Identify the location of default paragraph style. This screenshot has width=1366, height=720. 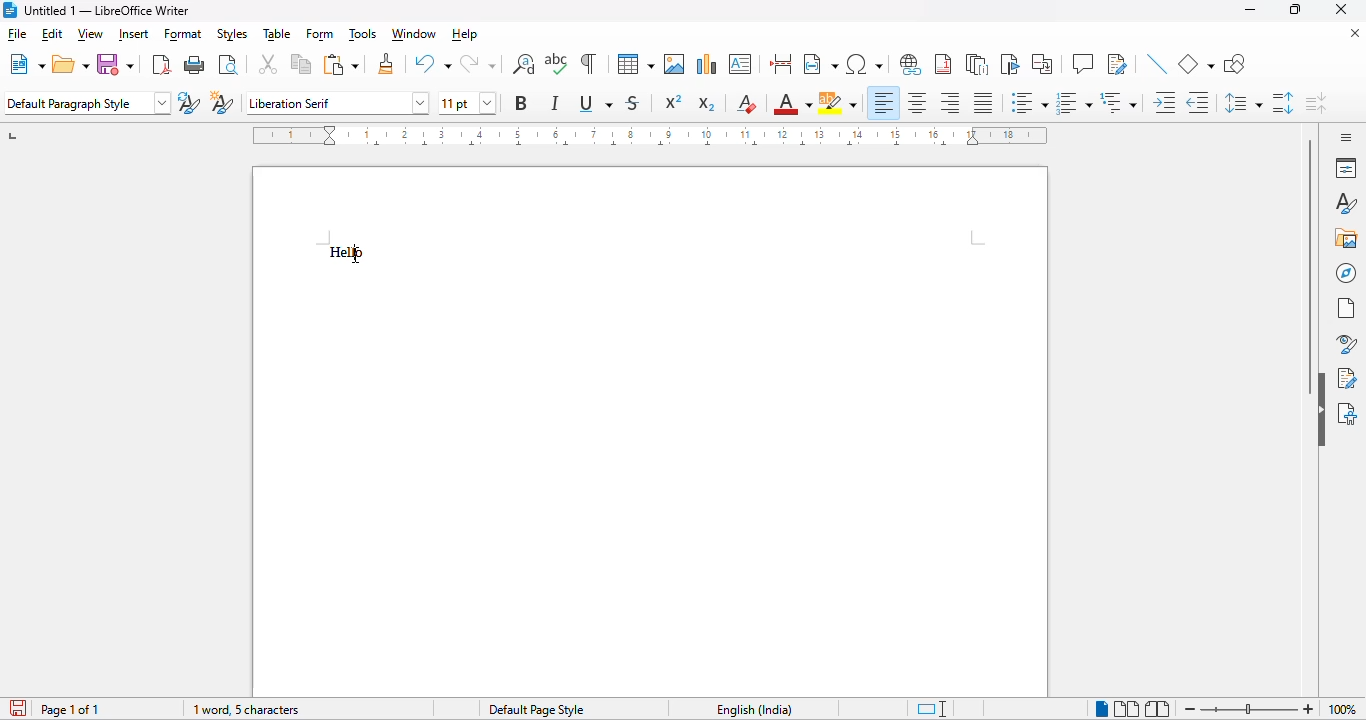
(87, 103).